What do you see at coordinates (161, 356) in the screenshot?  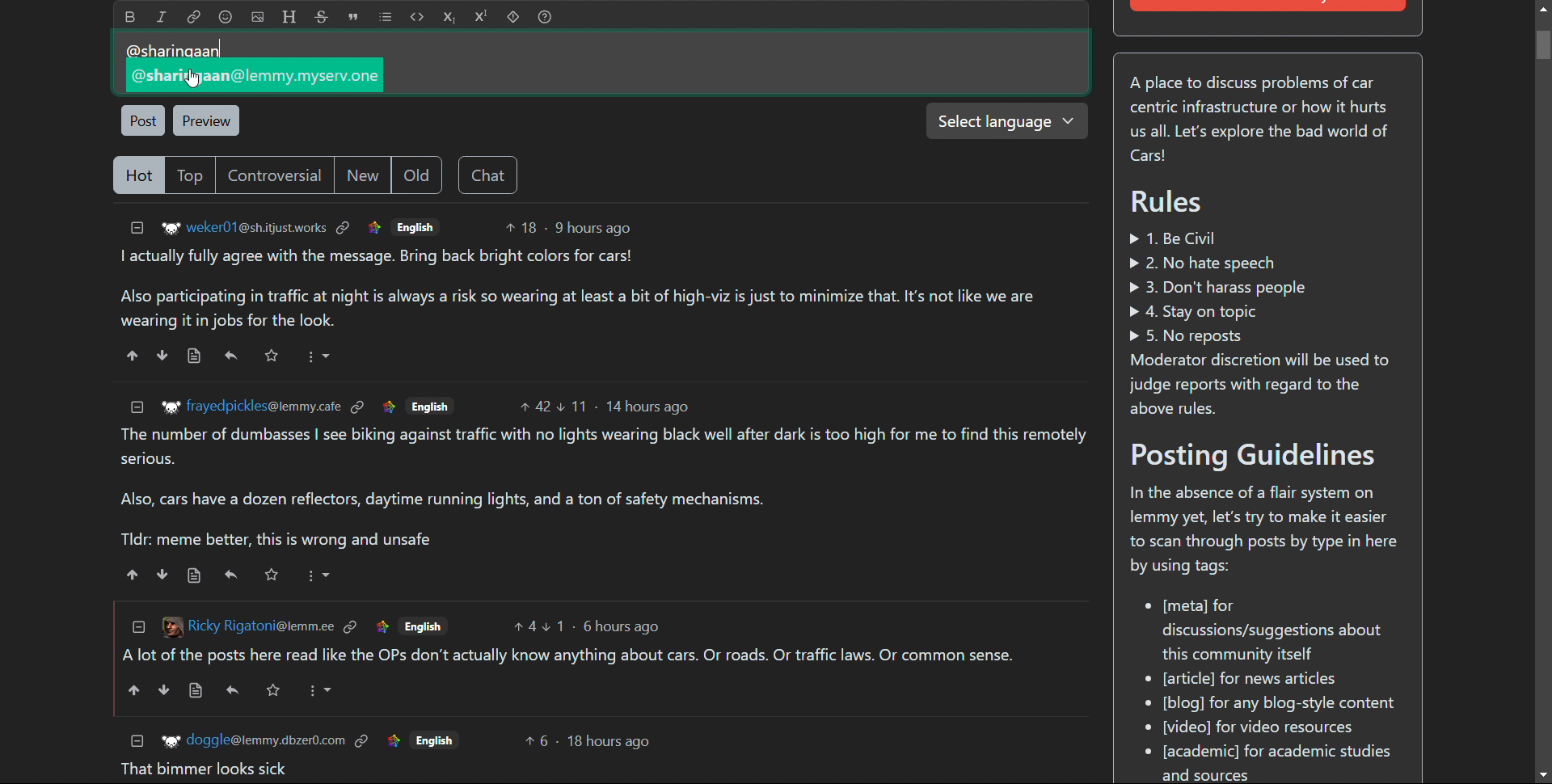 I see `downvote` at bounding box center [161, 356].